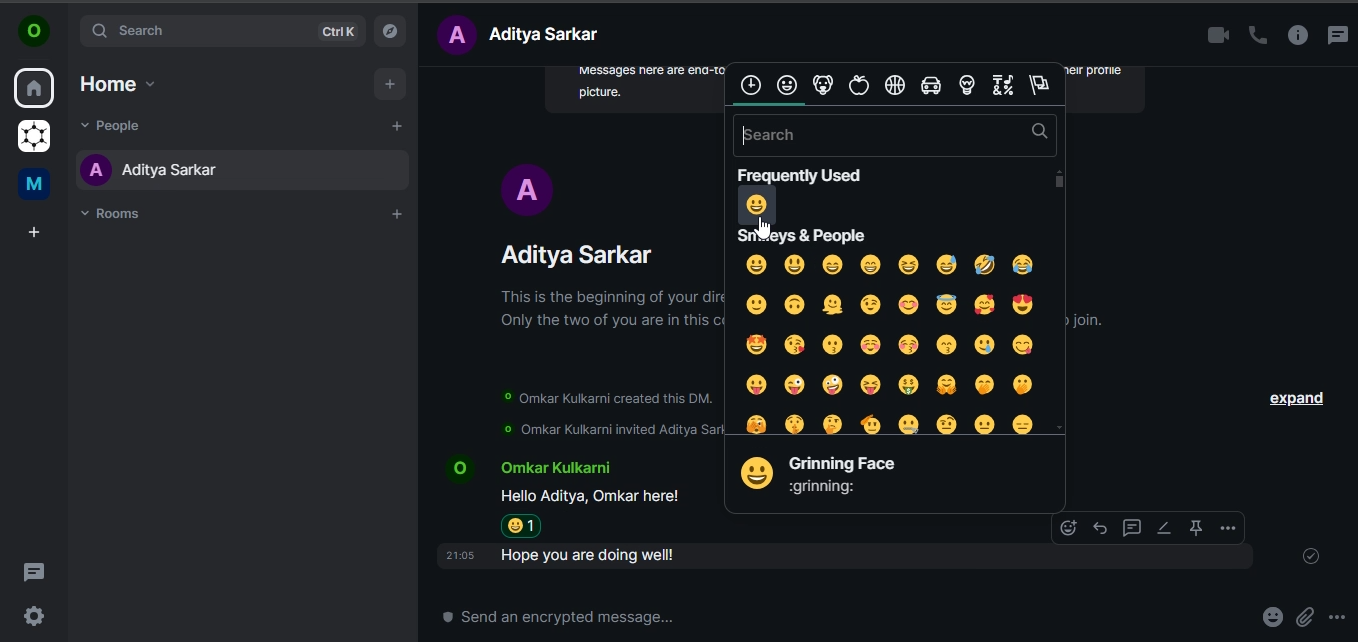 This screenshot has height=642, width=1358. I want to click on squinting face with tongue, so click(869, 384).